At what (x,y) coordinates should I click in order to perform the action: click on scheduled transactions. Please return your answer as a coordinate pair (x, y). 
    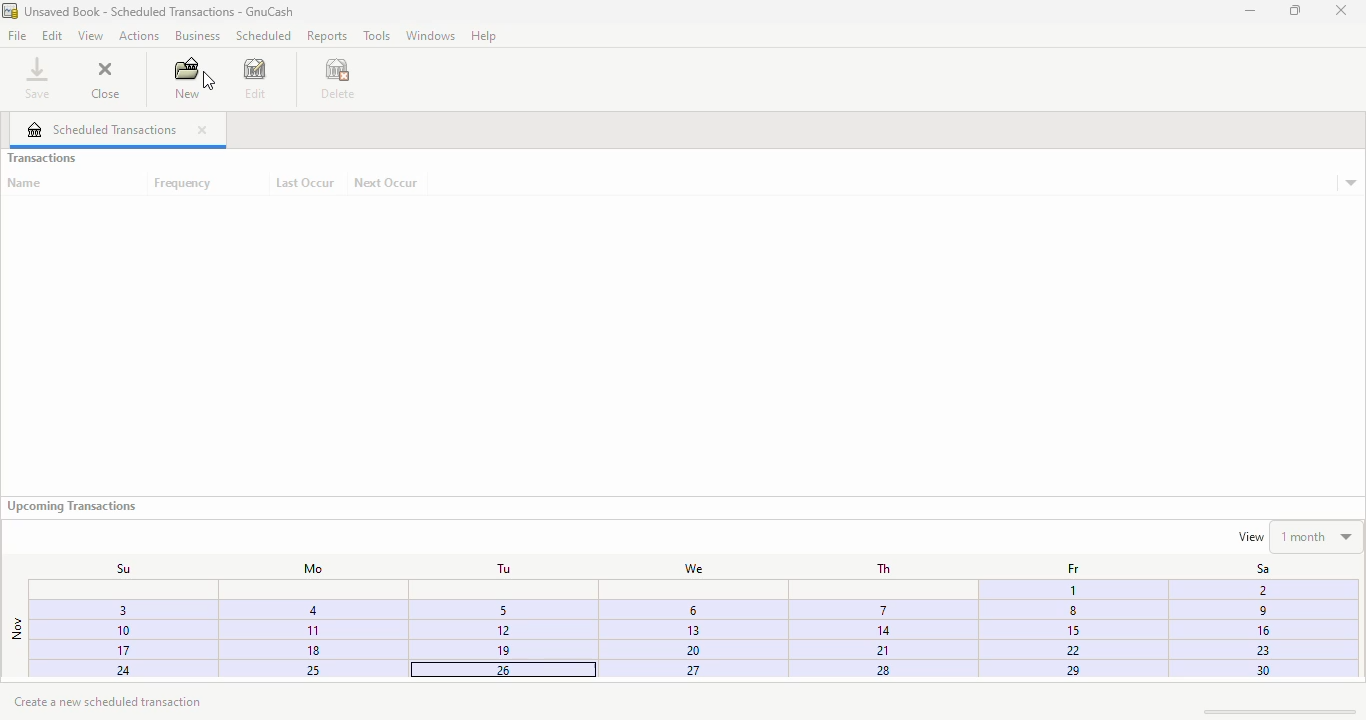
    Looking at the image, I should click on (102, 129).